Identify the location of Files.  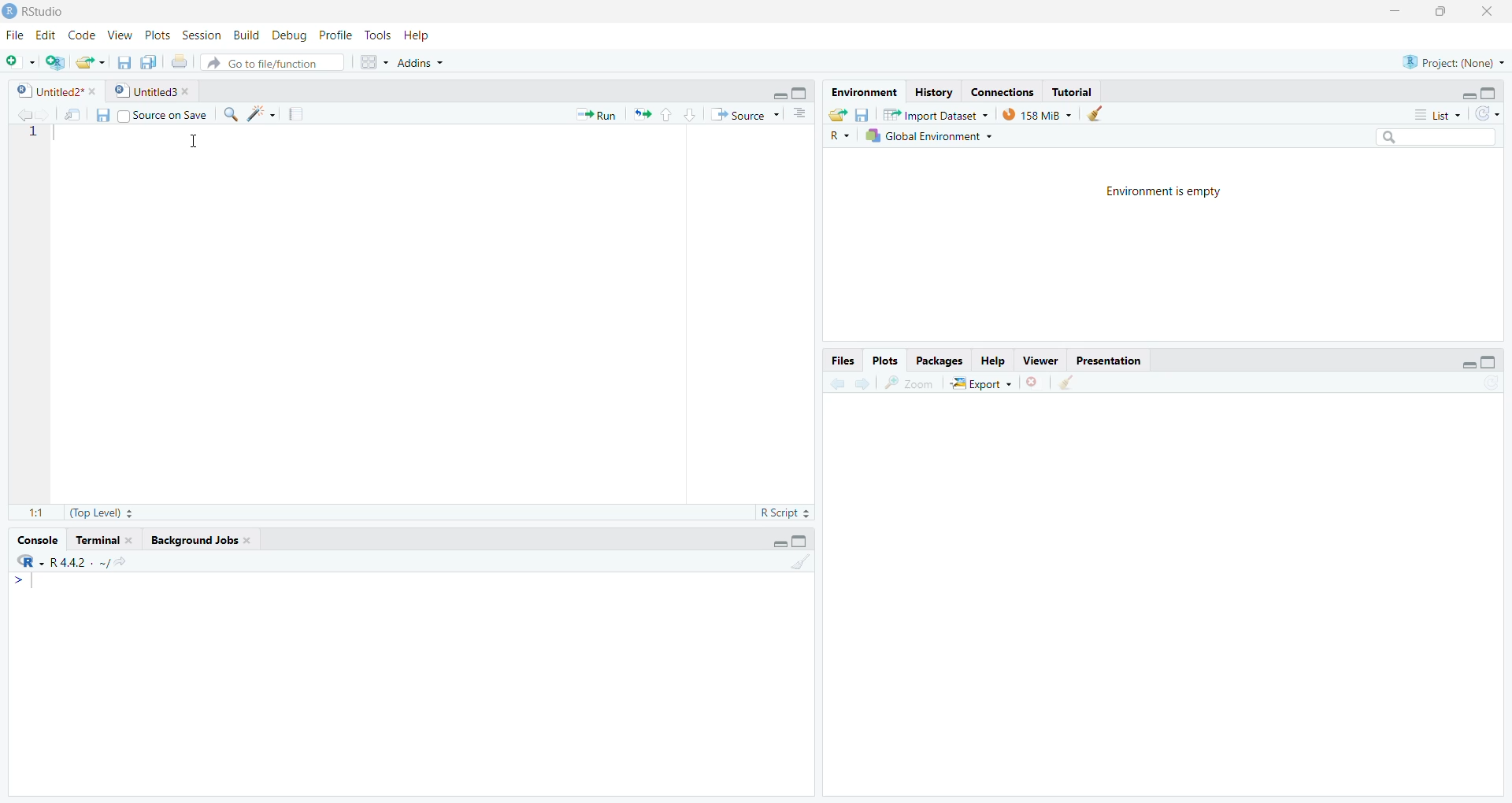
(842, 360).